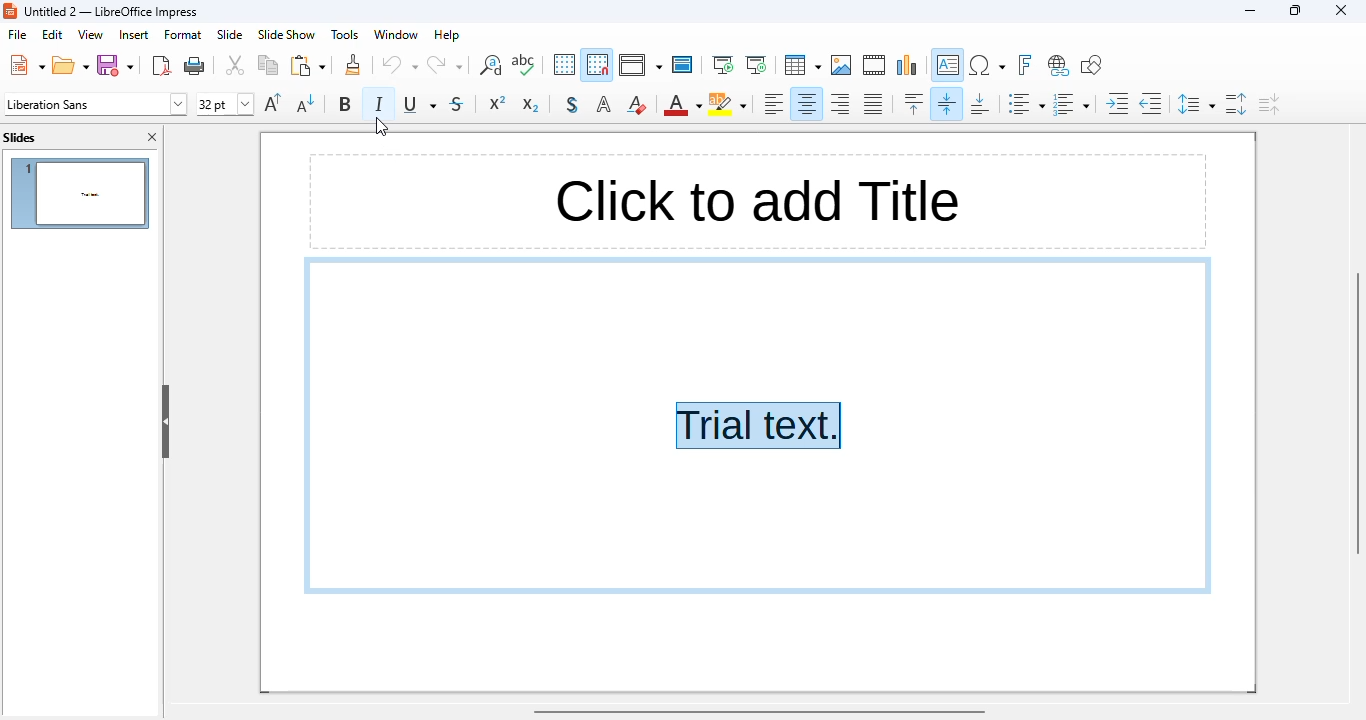  Describe the element at coordinates (447, 35) in the screenshot. I see `help` at that location.